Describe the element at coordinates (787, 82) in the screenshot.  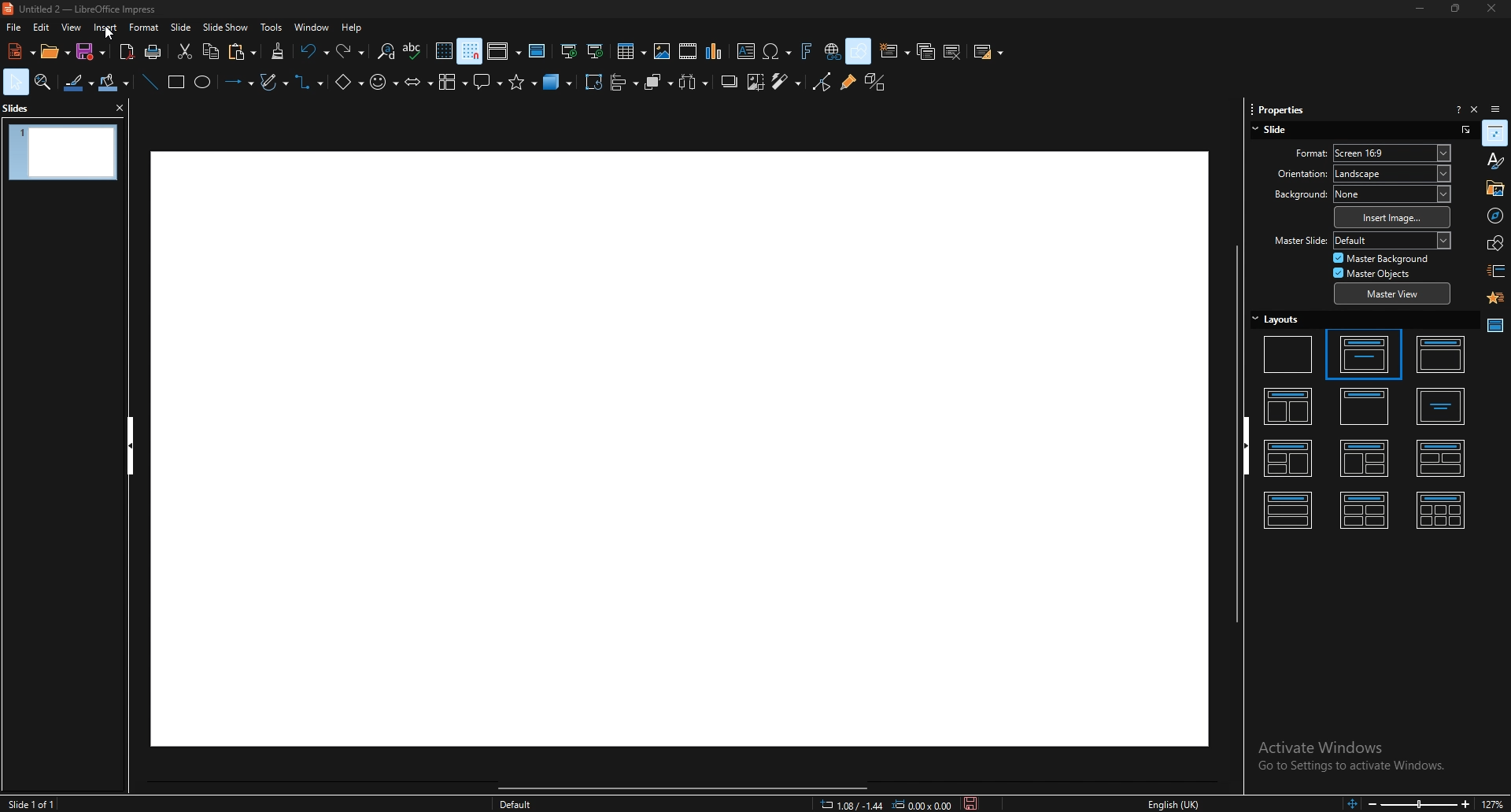
I see `filter` at that location.